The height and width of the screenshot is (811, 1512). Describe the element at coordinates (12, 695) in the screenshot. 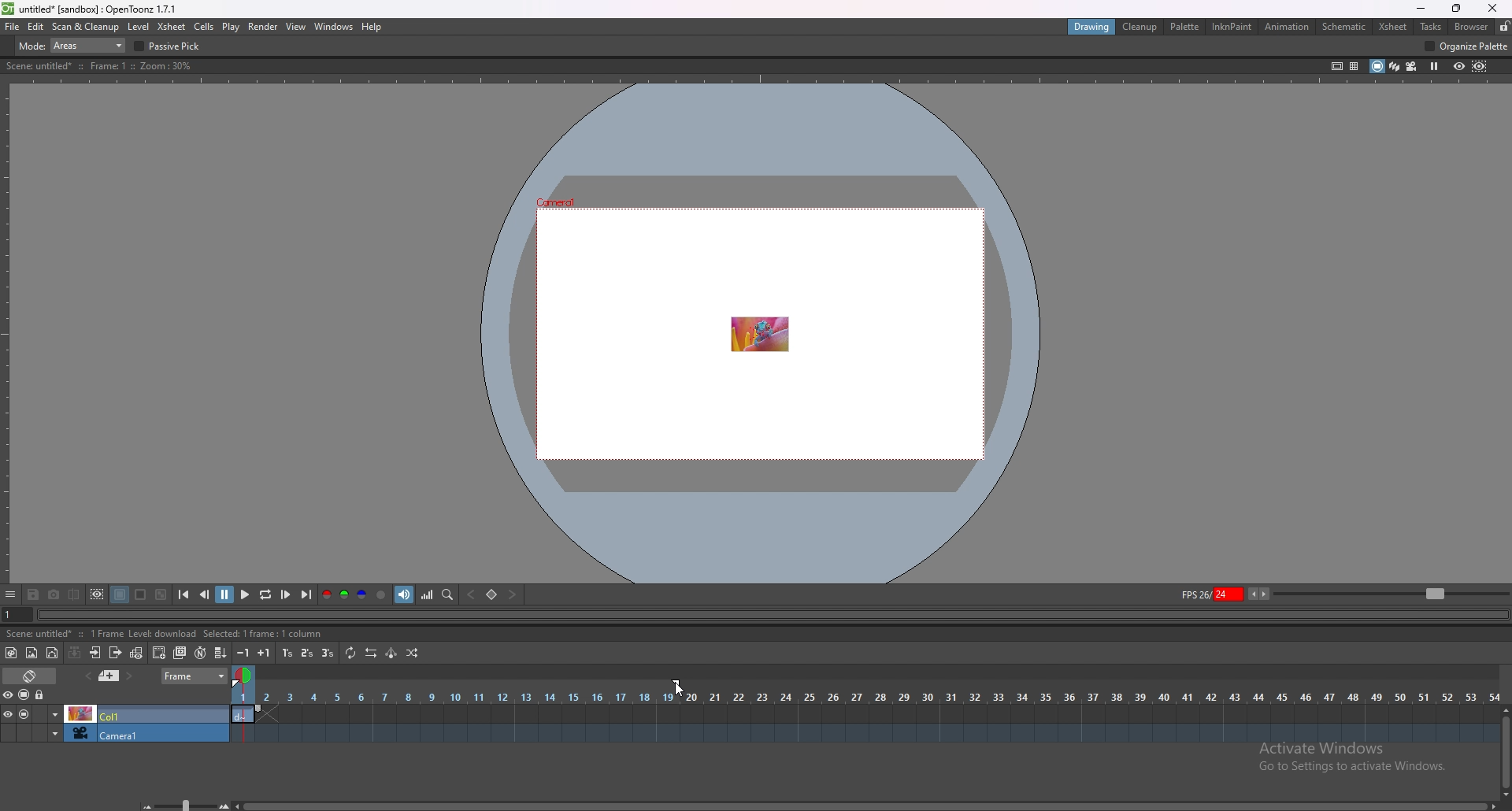

I see `visibility toggle` at that location.